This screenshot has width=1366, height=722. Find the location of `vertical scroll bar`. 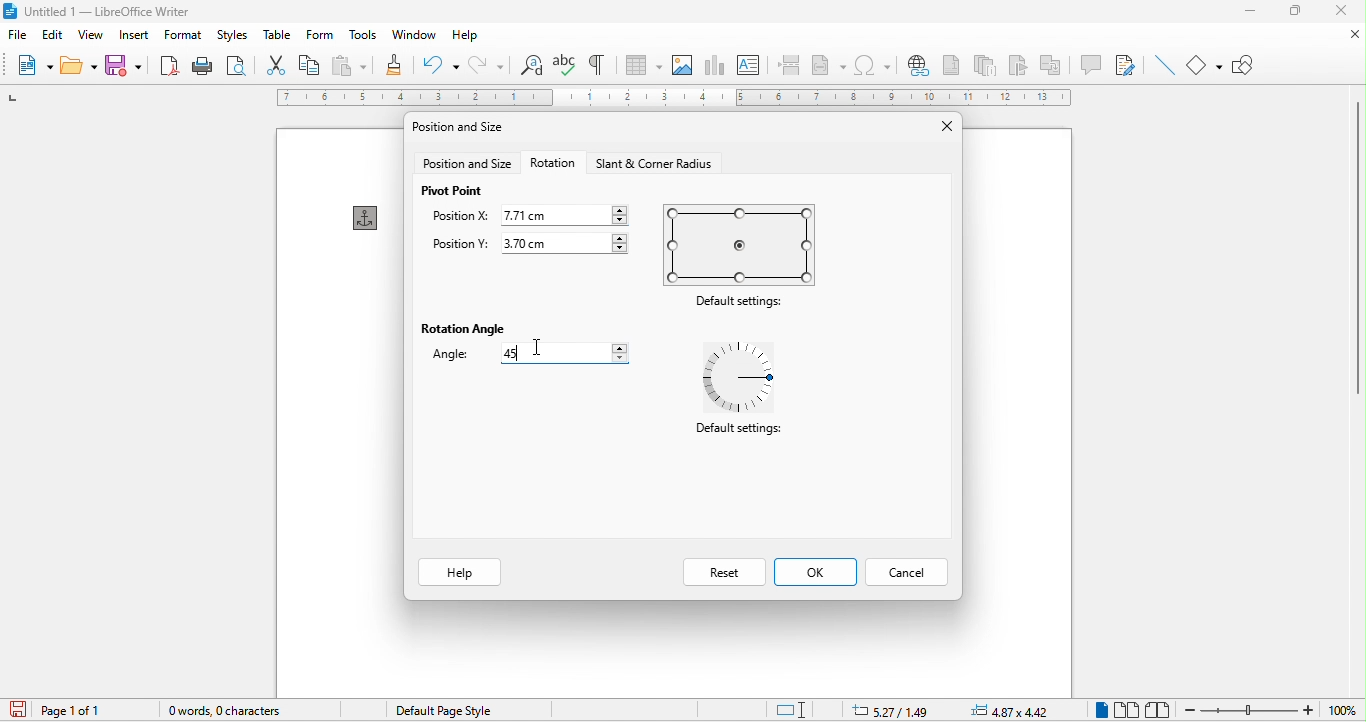

vertical scroll bar is located at coordinates (1355, 248).